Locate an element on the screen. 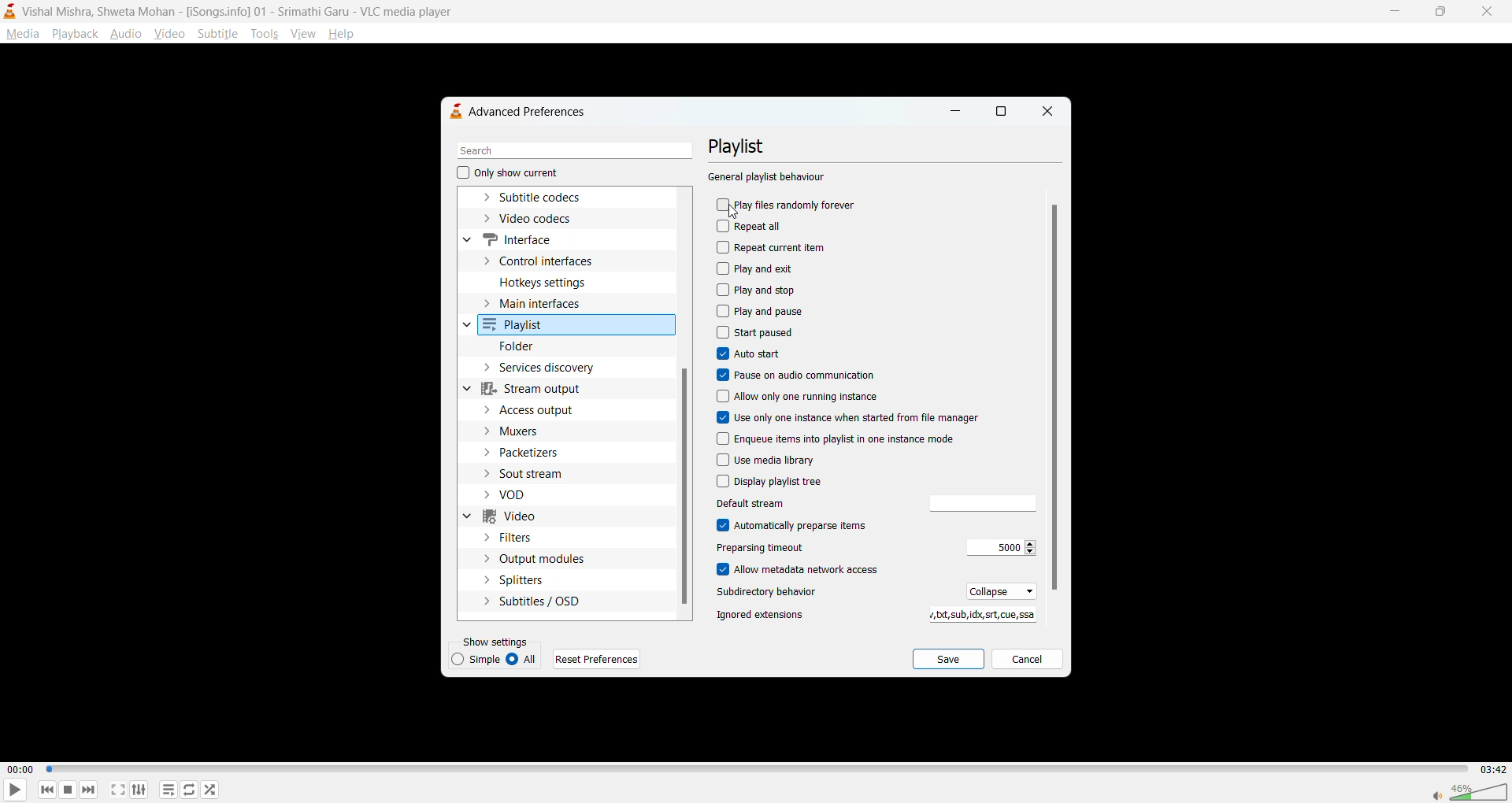 The height and width of the screenshot is (803, 1512). minimize is located at coordinates (1392, 9).